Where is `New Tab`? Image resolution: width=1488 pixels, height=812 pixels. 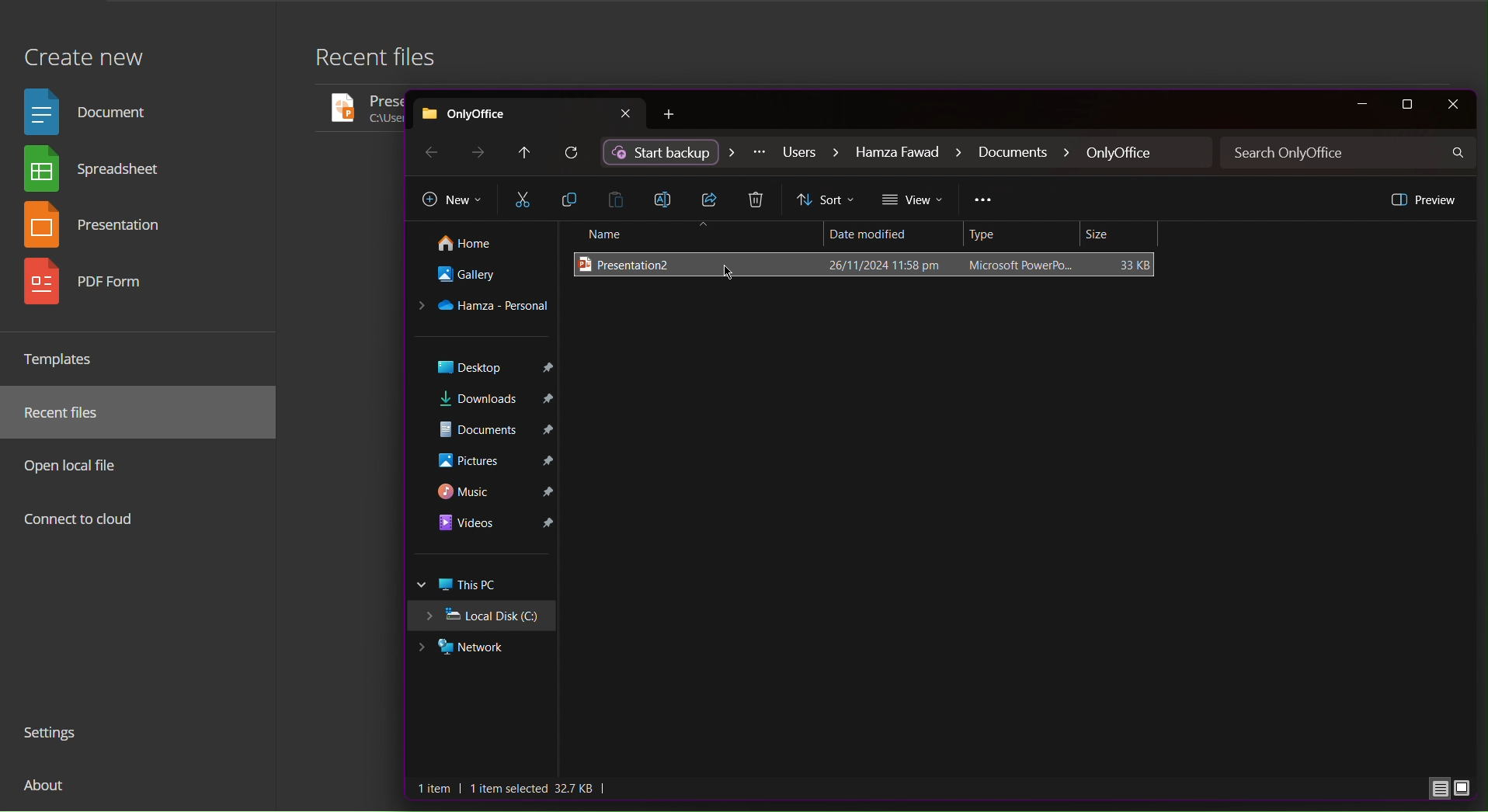
New Tab is located at coordinates (673, 115).